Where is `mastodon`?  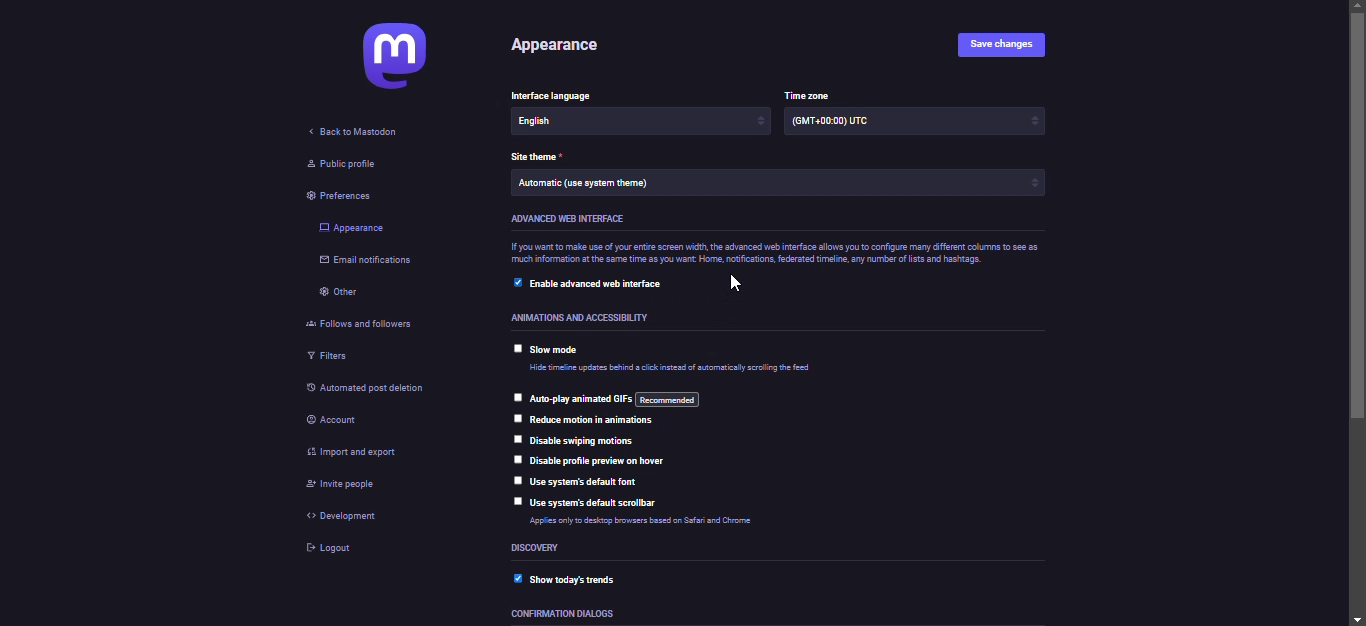 mastodon is located at coordinates (396, 59).